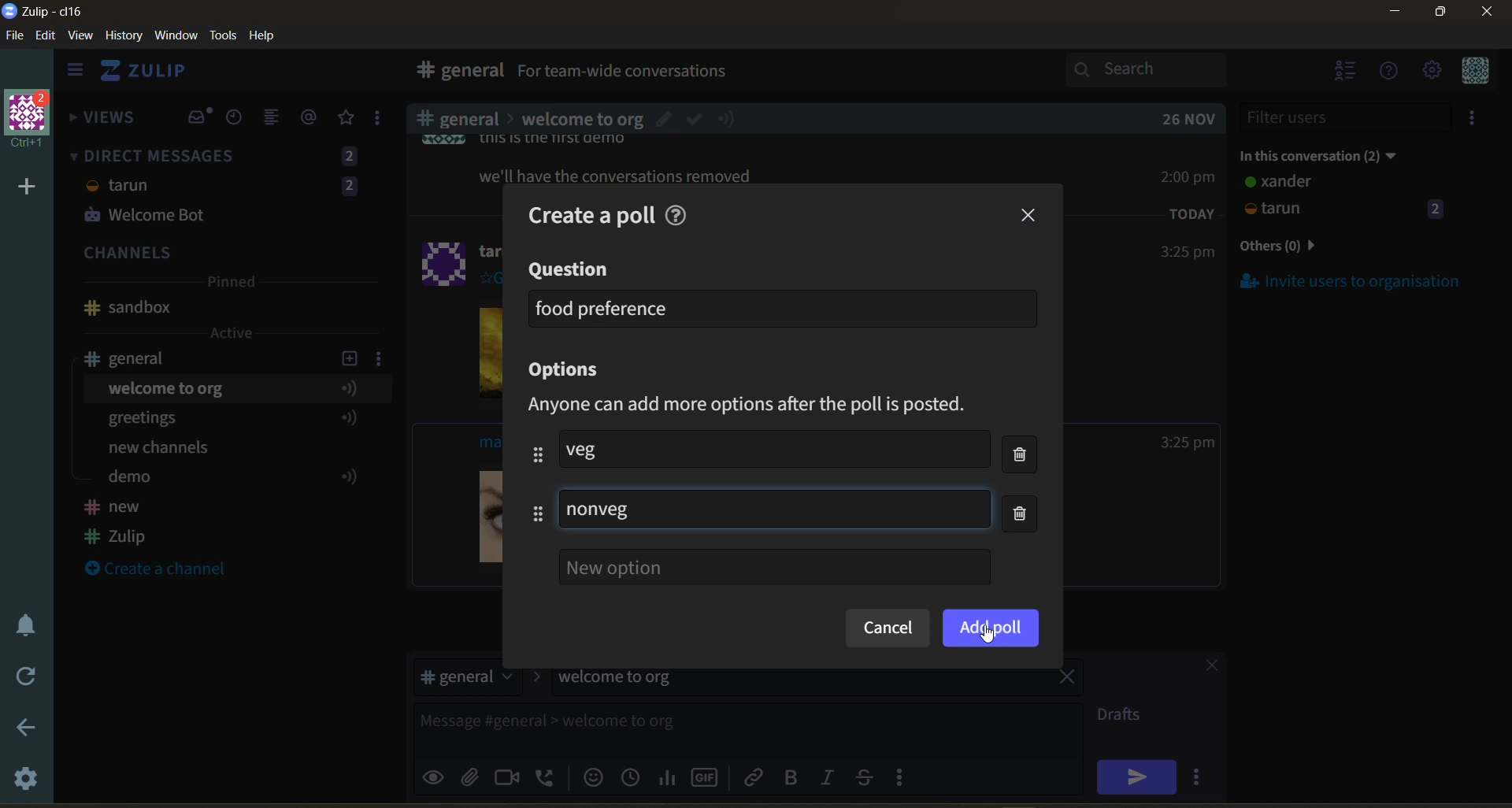 The height and width of the screenshot is (808, 1512). Describe the element at coordinates (154, 75) in the screenshot. I see `home view` at that location.